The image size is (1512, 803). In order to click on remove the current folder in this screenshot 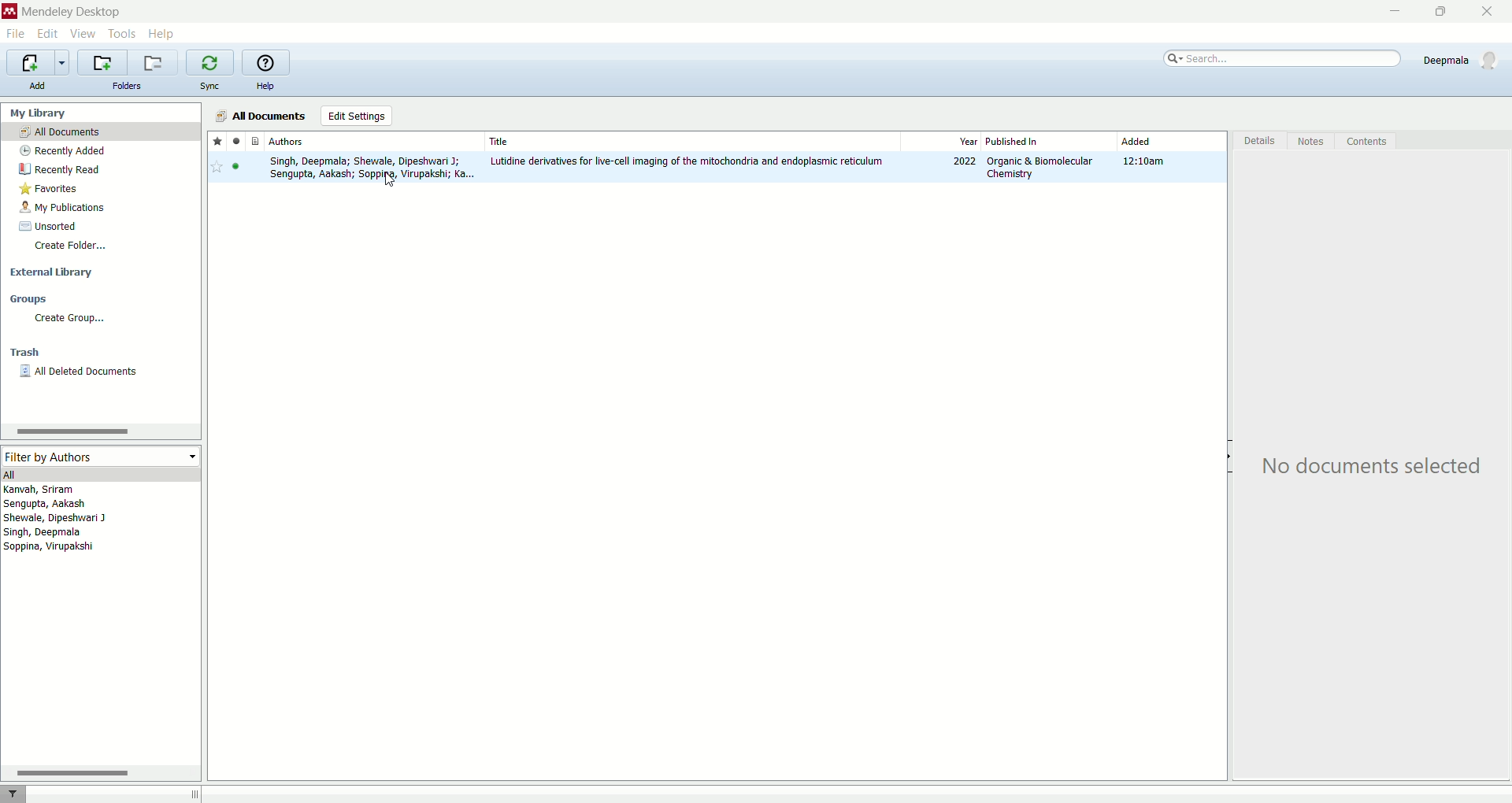, I will do `click(153, 63)`.